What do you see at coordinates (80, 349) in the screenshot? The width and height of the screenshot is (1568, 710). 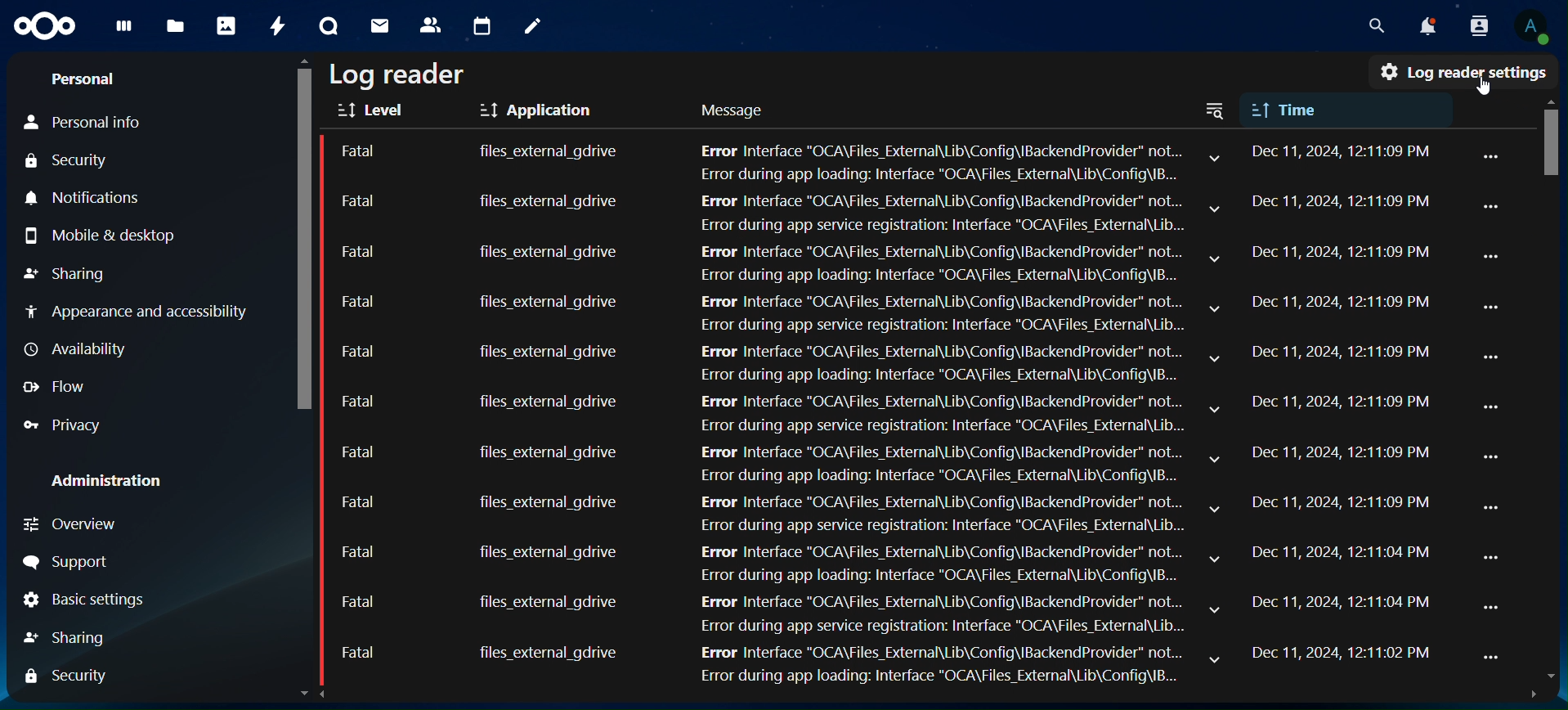 I see `availabilty` at bounding box center [80, 349].